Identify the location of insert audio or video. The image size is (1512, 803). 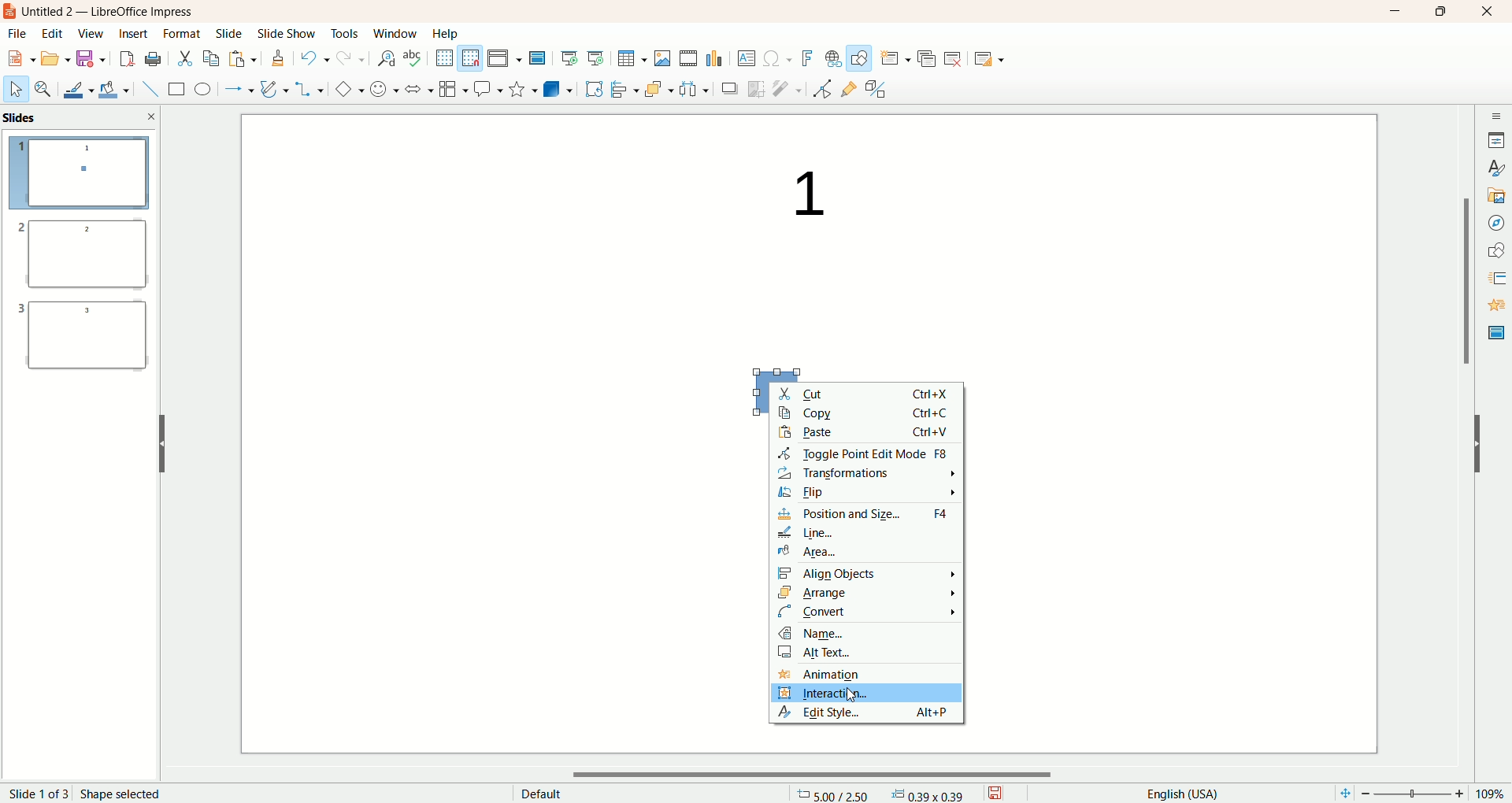
(688, 58).